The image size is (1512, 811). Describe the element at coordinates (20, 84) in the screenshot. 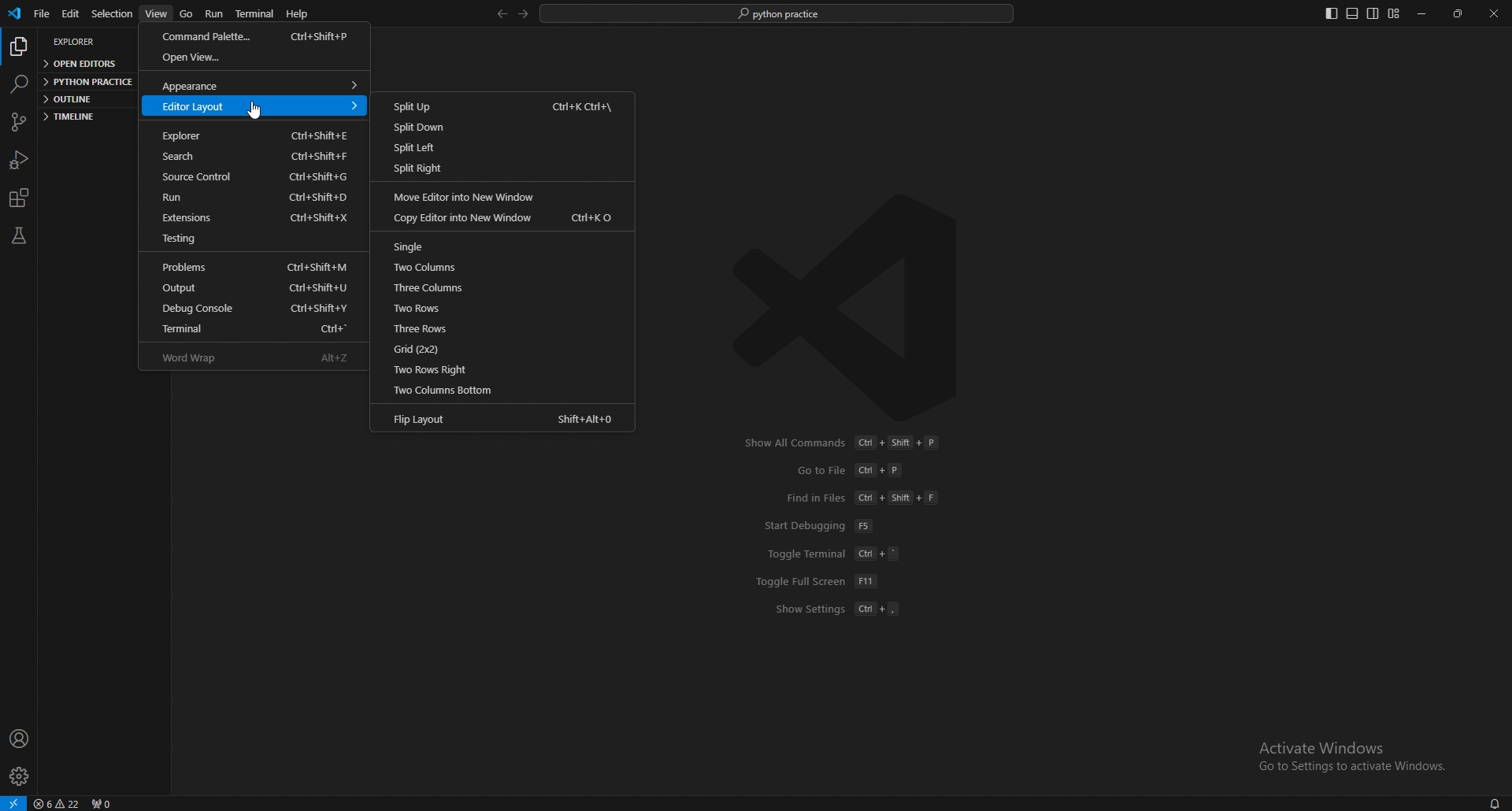

I see `search` at that location.